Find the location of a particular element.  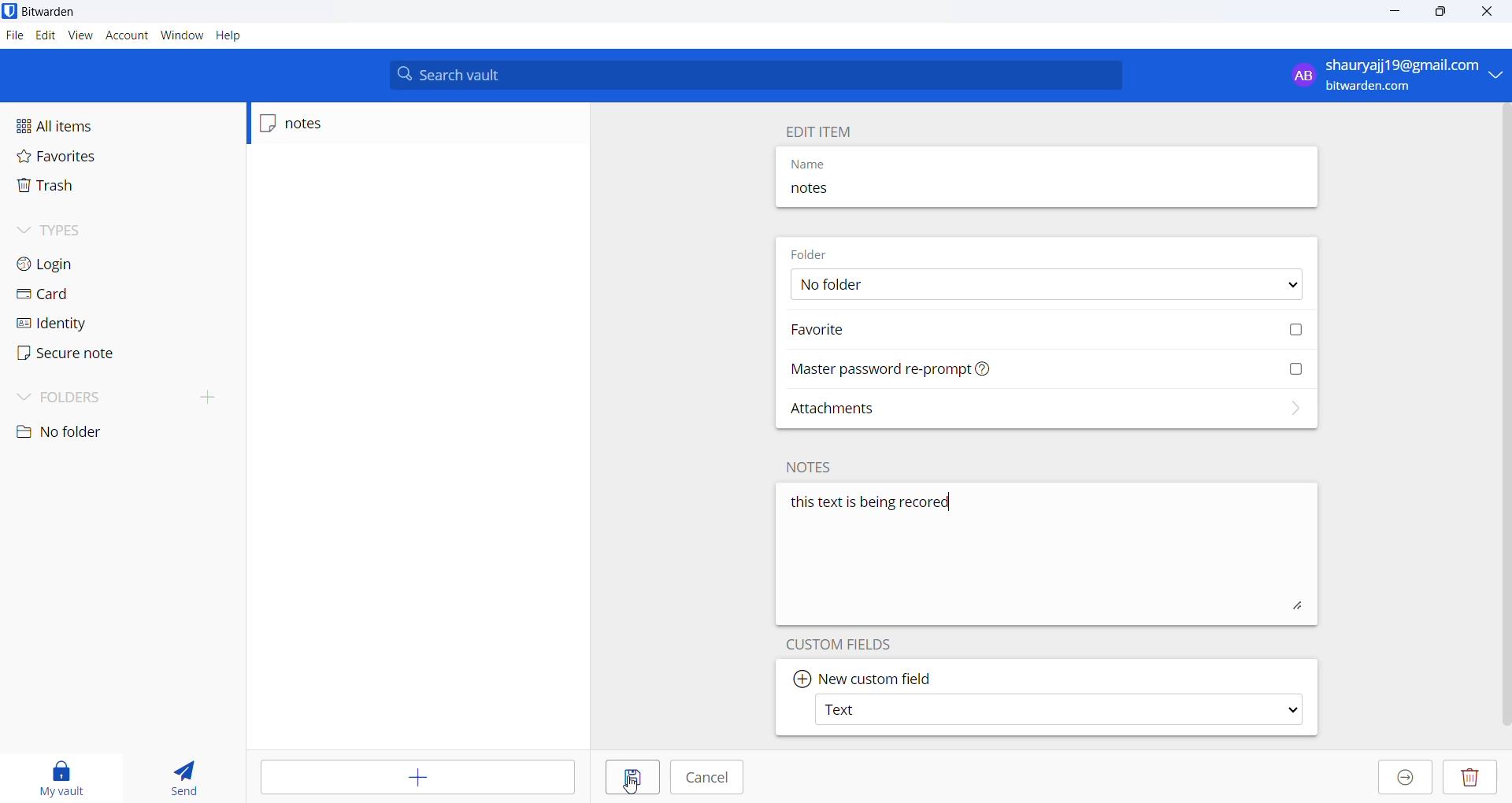

vertical scrollbar is located at coordinates (1503, 413).